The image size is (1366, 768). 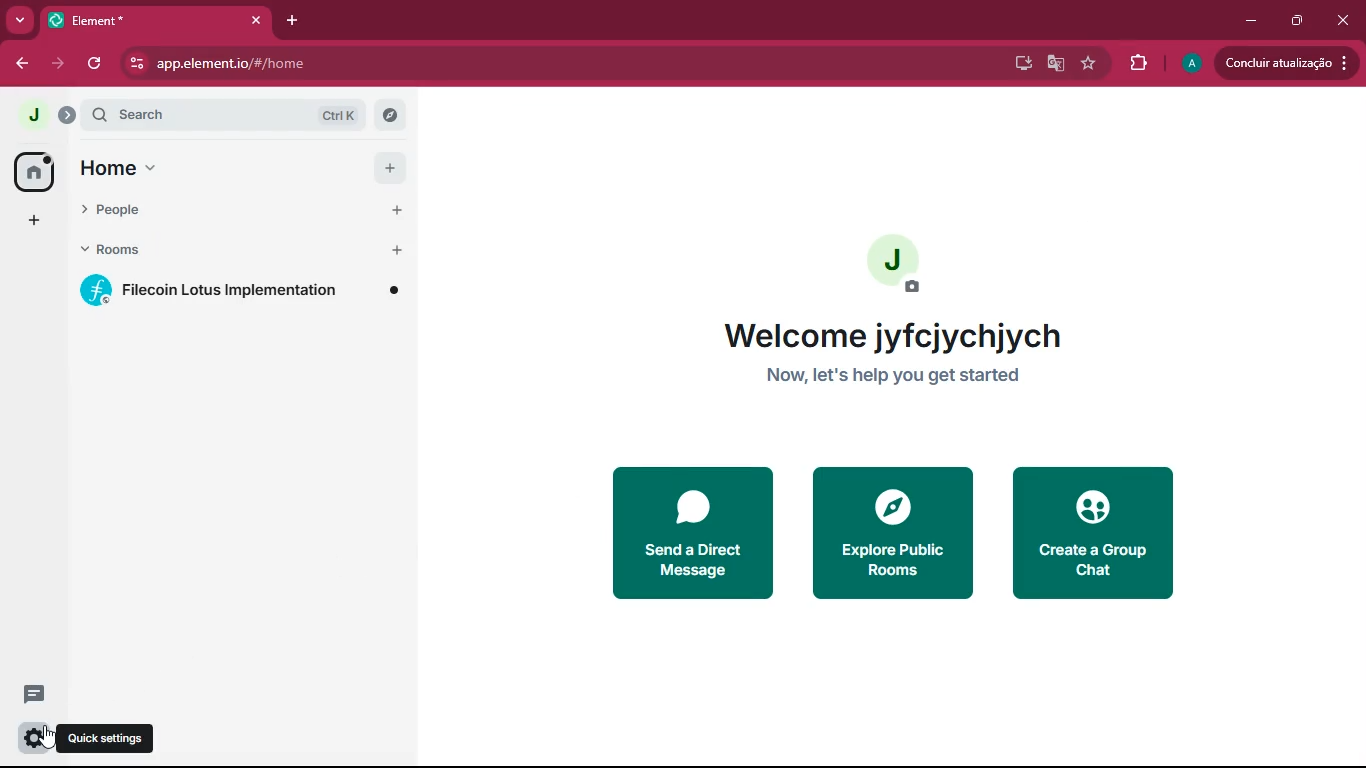 I want to click on minimize, so click(x=1251, y=21).